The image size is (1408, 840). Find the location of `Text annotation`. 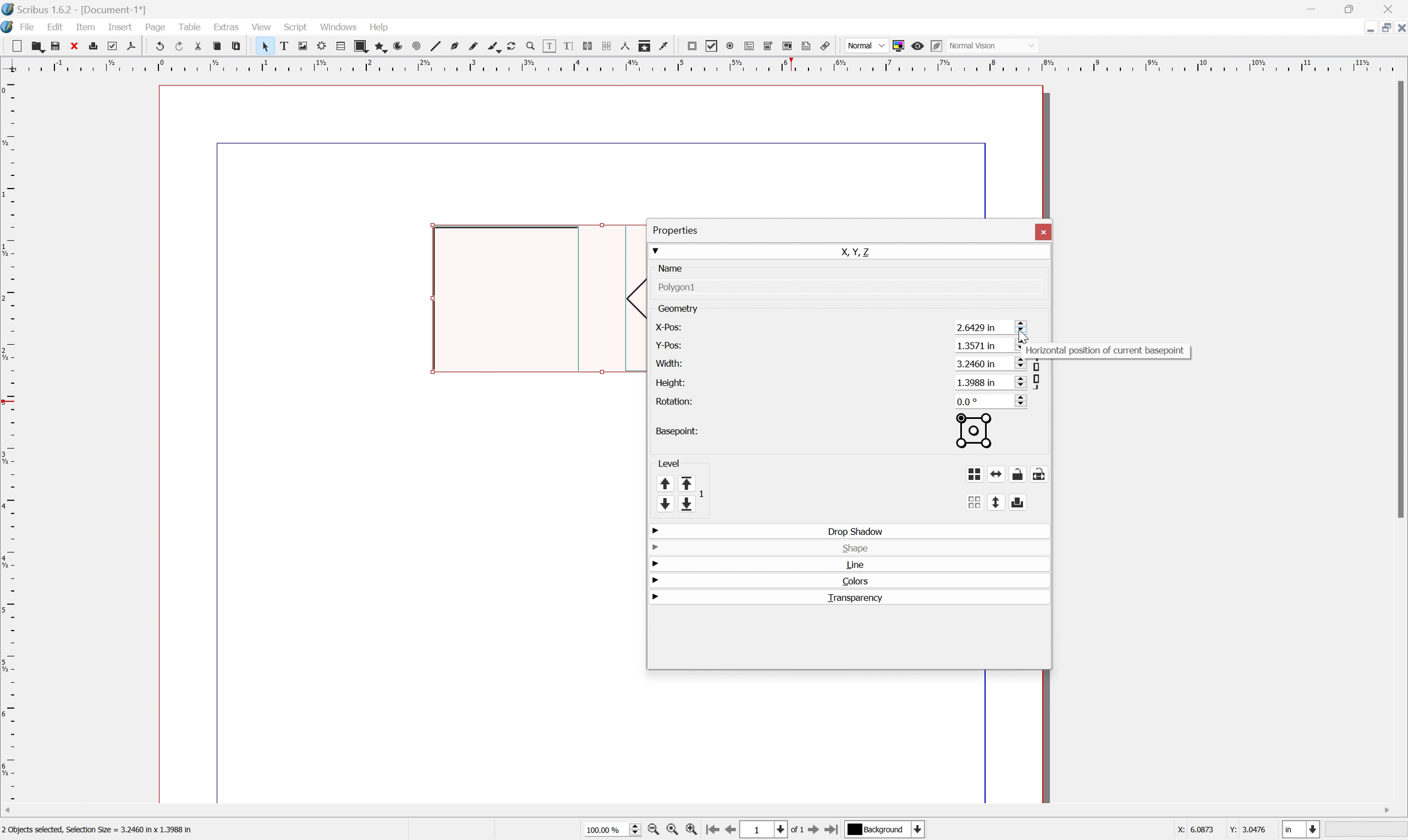

Text annotation is located at coordinates (805, 46).